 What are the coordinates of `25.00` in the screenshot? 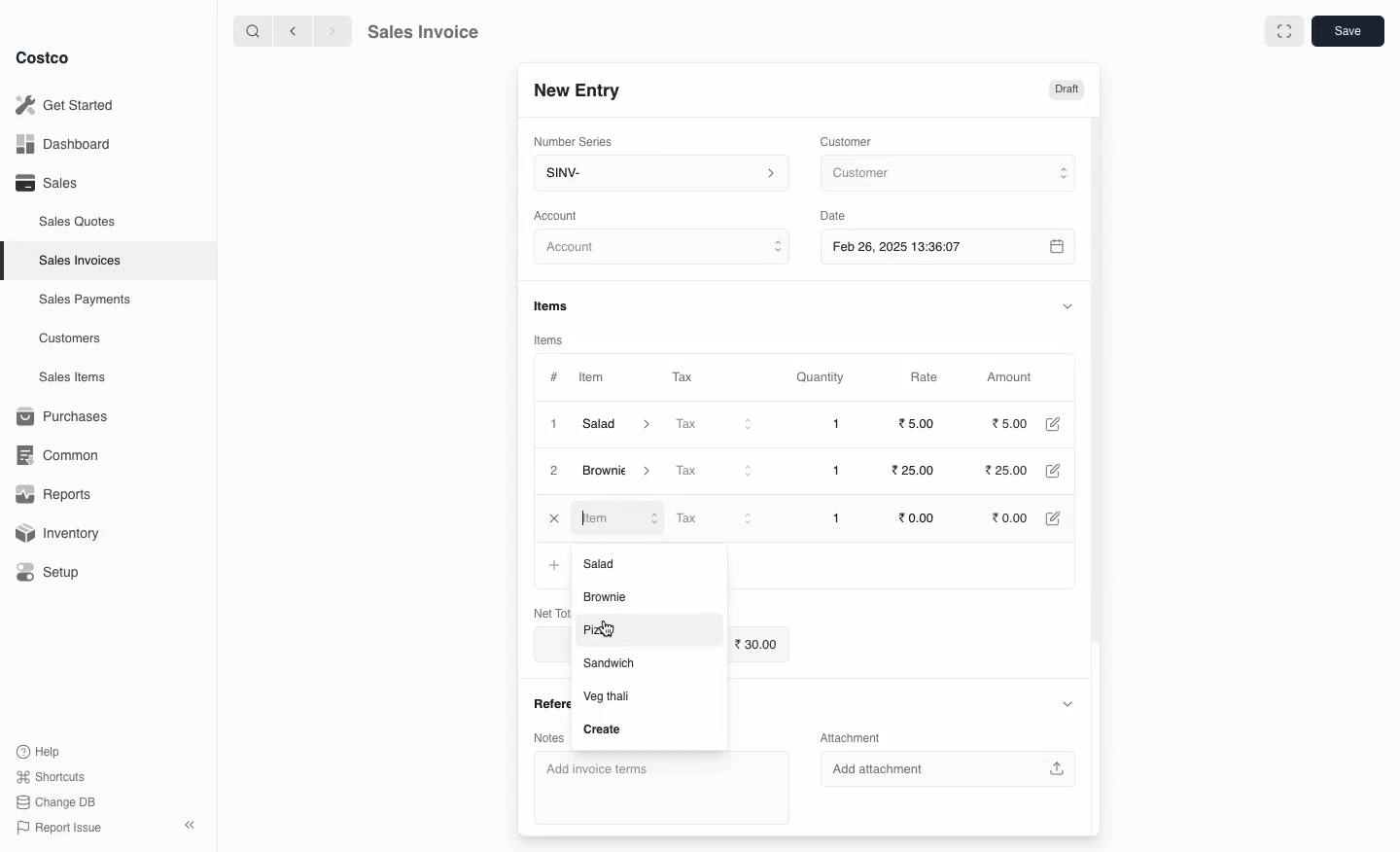 It's located at (1011, 472).